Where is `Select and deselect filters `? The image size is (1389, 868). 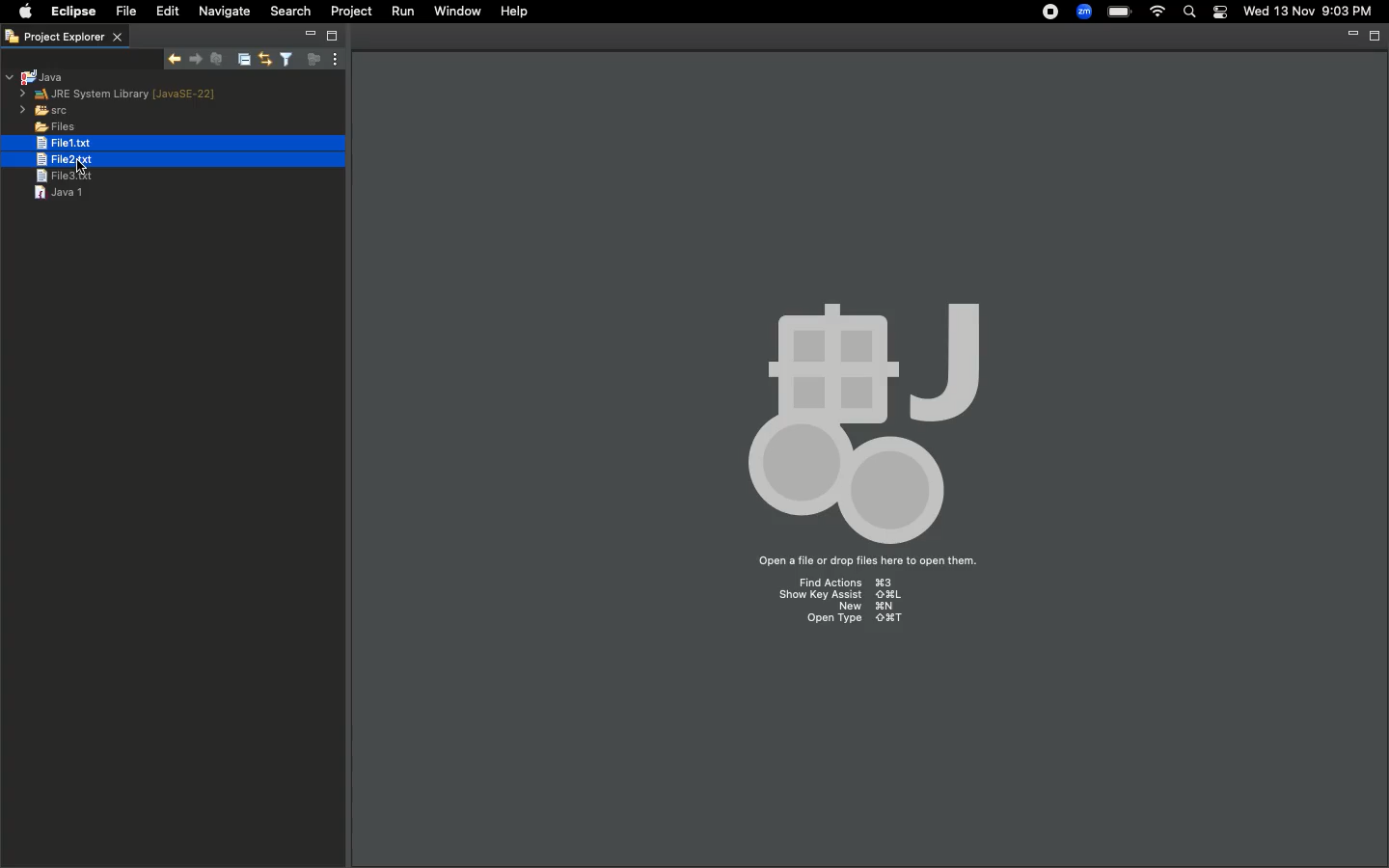 Select and deselect filters  is located at coordinates (285, 60).